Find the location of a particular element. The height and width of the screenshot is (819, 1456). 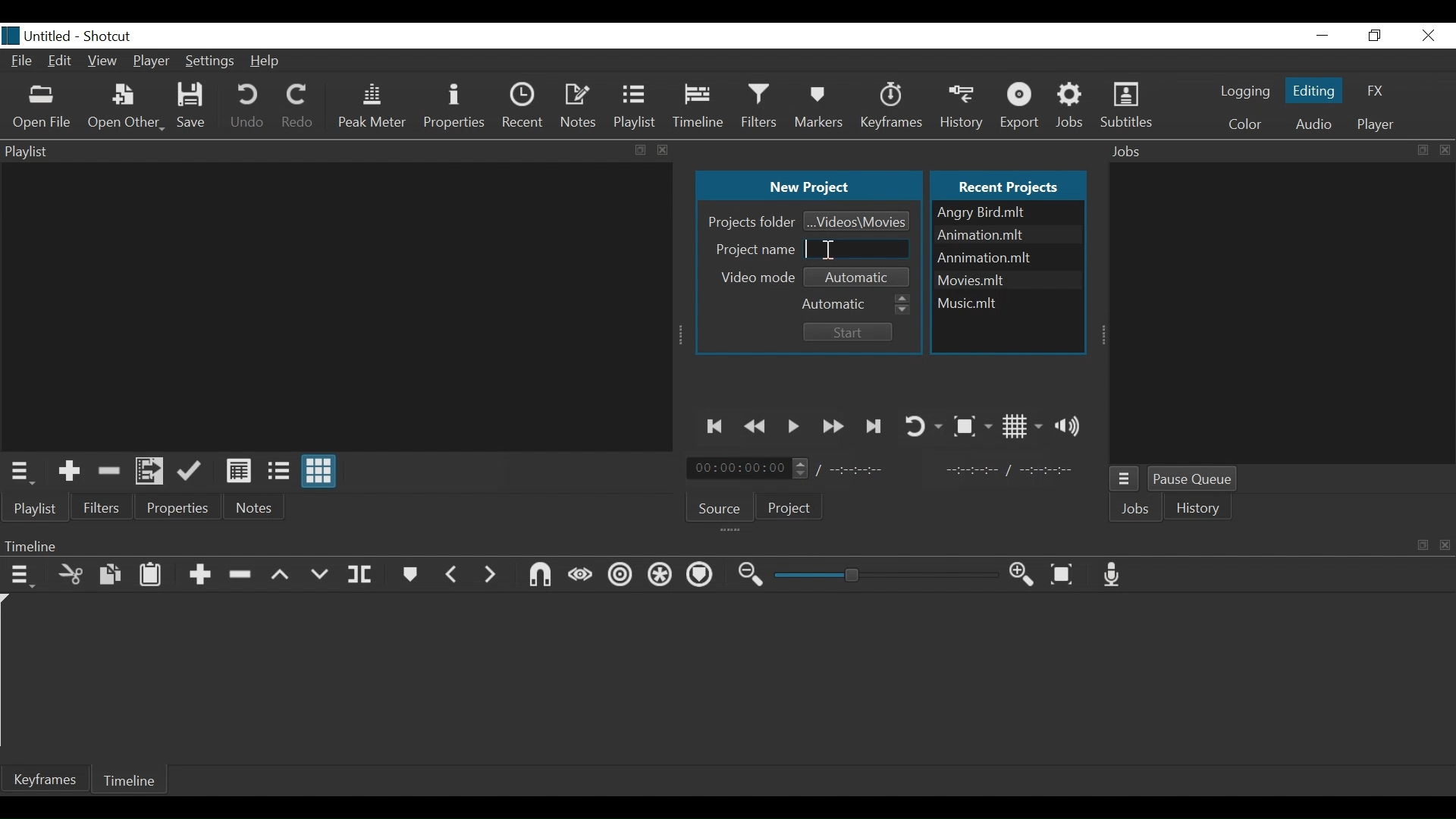

Zoom Timeline in is located at coordinates (1021, 575).